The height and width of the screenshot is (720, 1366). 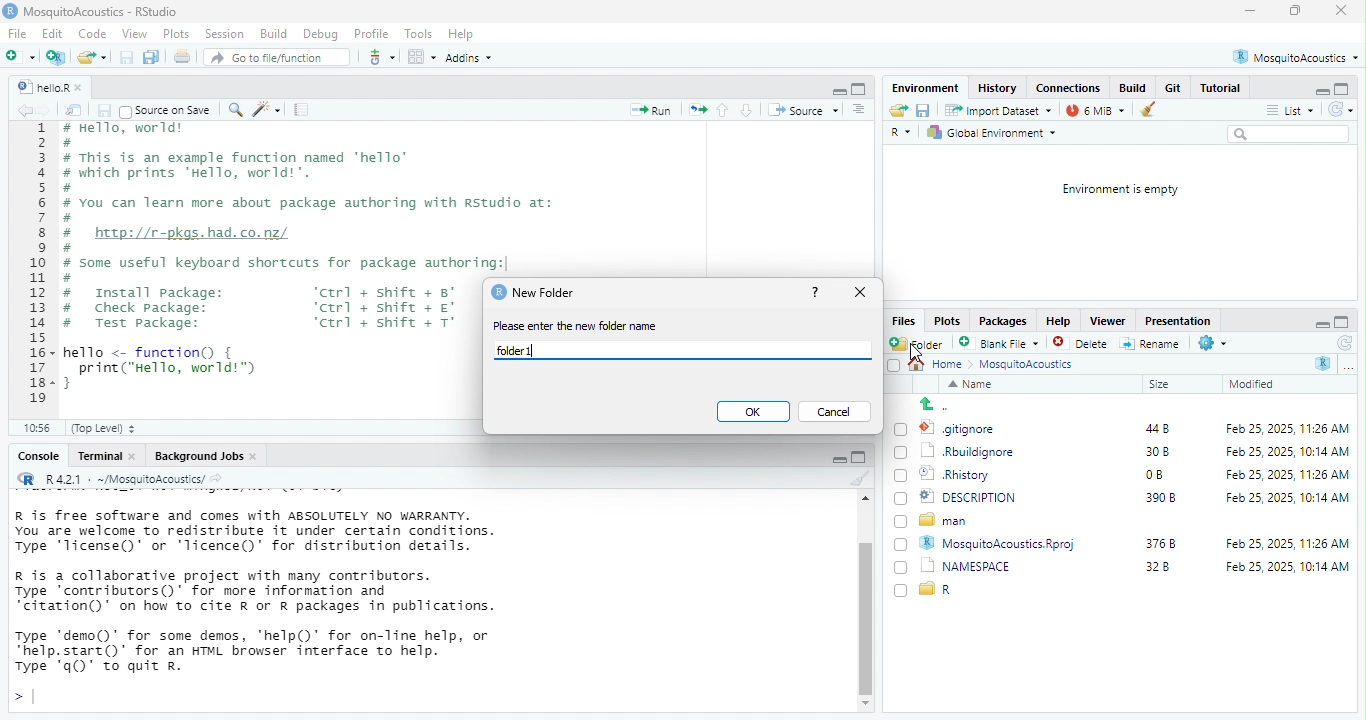 I want to click on 0B, so click(x=1150, y=475).